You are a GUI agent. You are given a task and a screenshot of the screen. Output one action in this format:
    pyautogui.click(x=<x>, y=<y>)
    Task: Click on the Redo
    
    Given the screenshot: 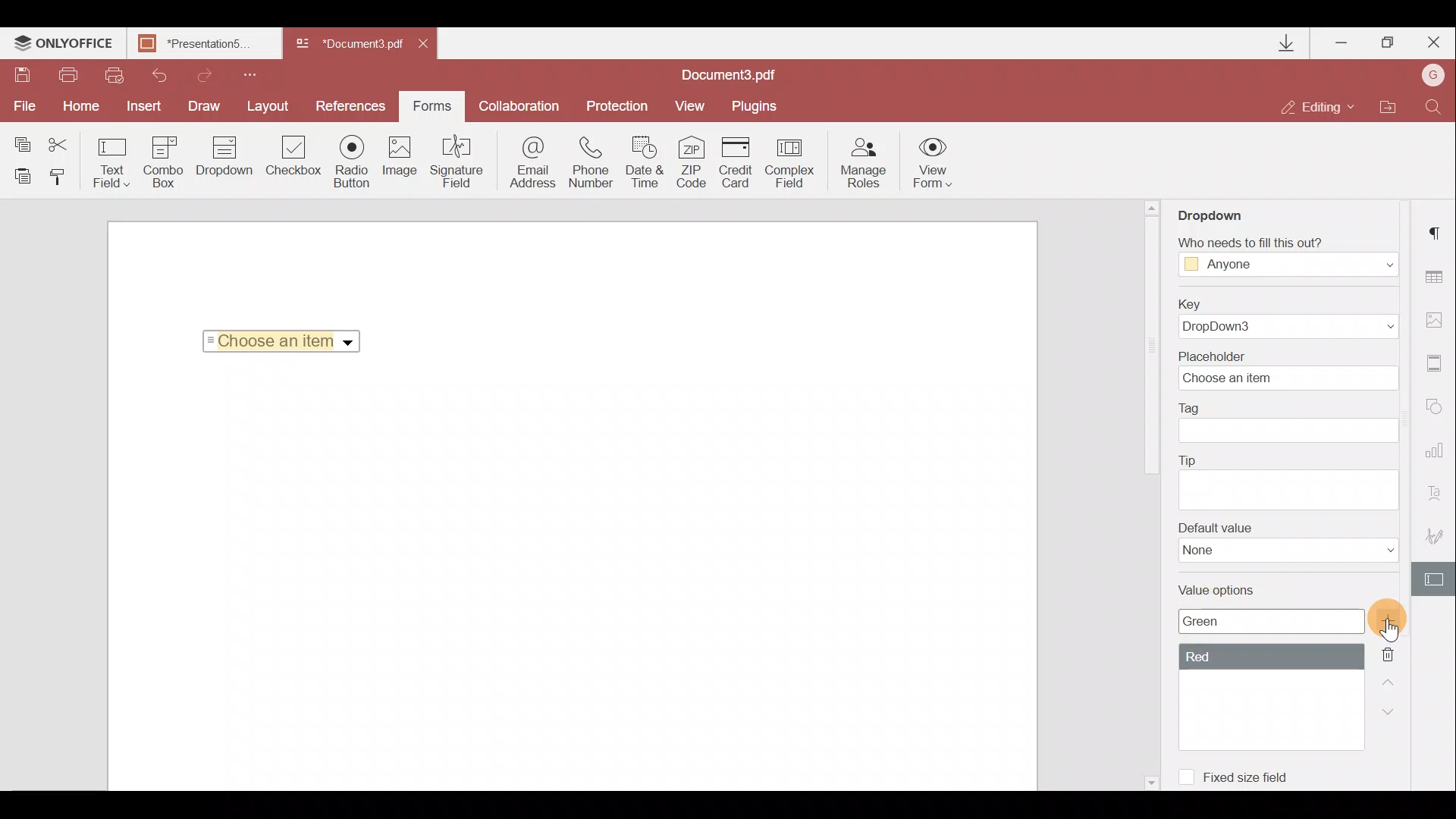 What is the action you would take?
    pyautogui.click(x=206, y=74)
    